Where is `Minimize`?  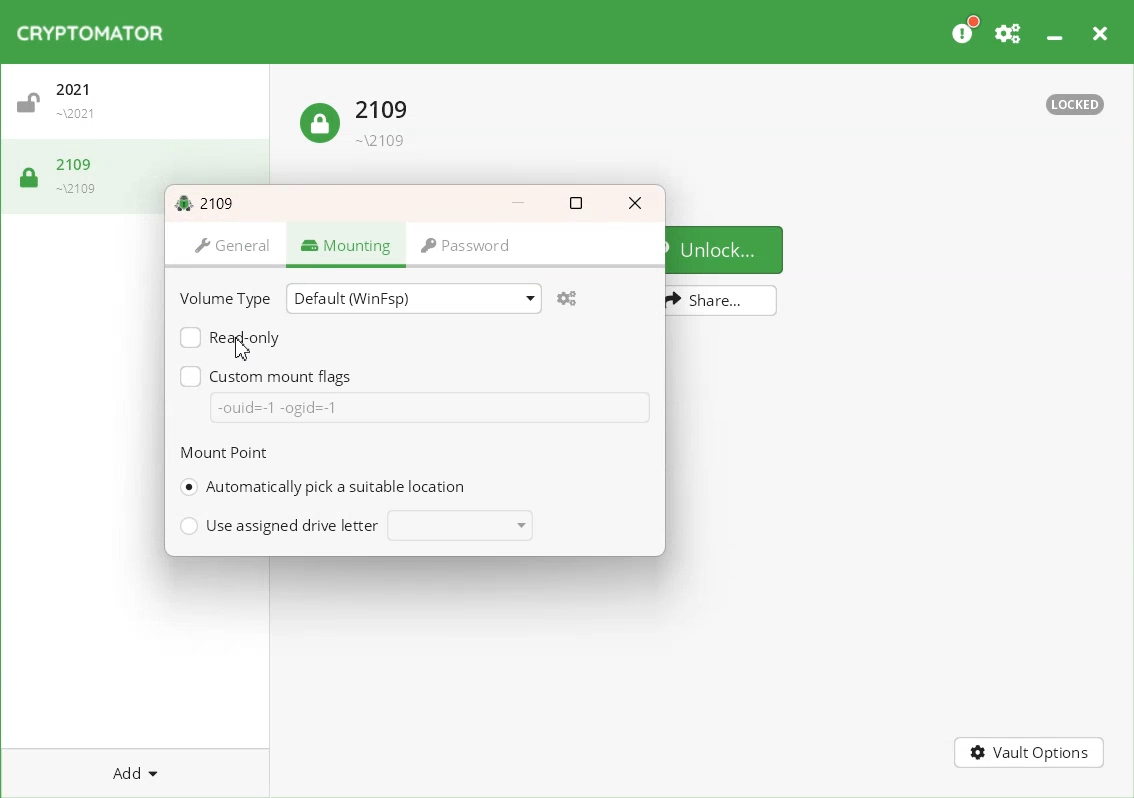 Minimize is located at coordinates (519, 202).